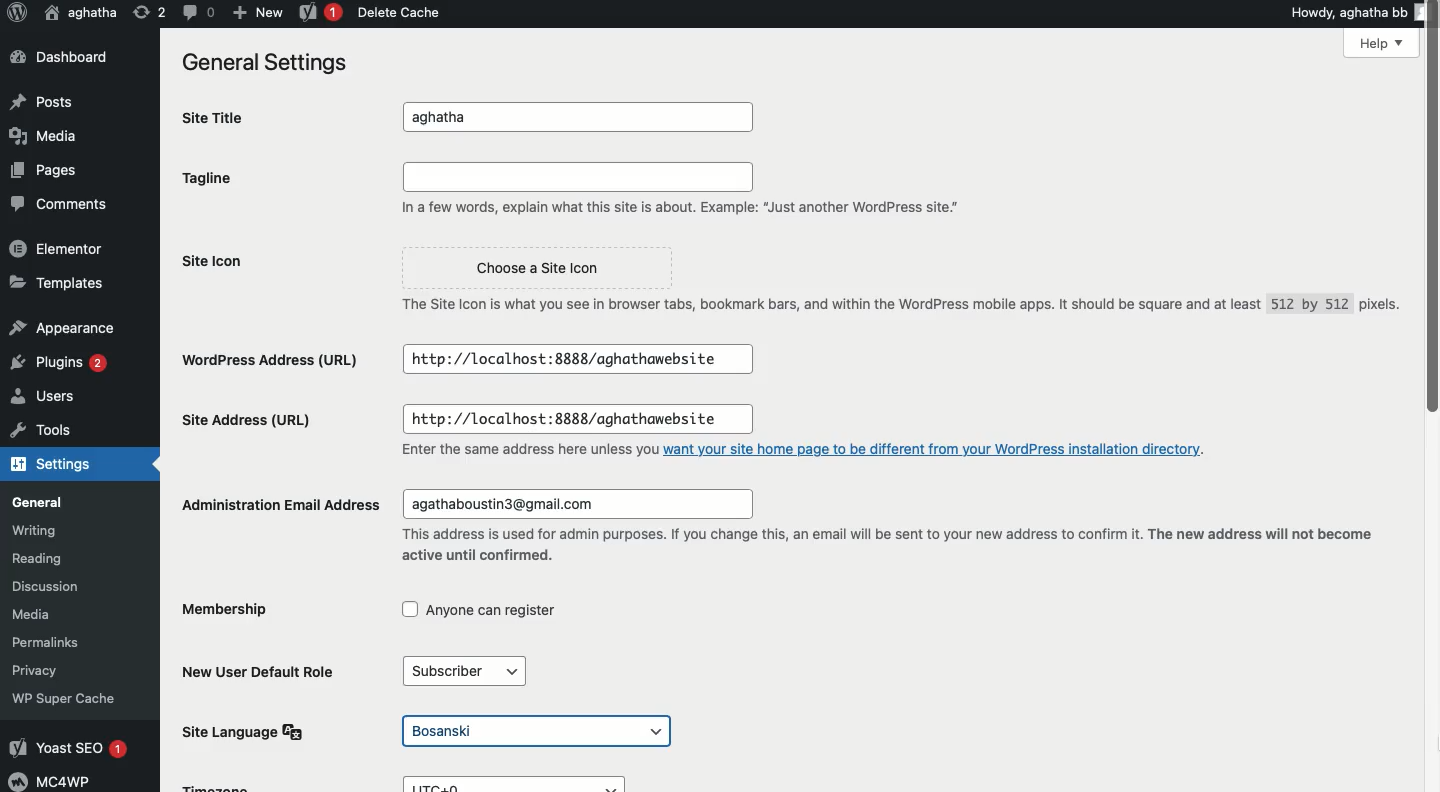 This screenshot has height=792, width=1440. Describe the element at coordinates (687, 191) in the screenshot. I see `In a few words, explain what this site is about. Example: “Just another WordPress site."` at that location.